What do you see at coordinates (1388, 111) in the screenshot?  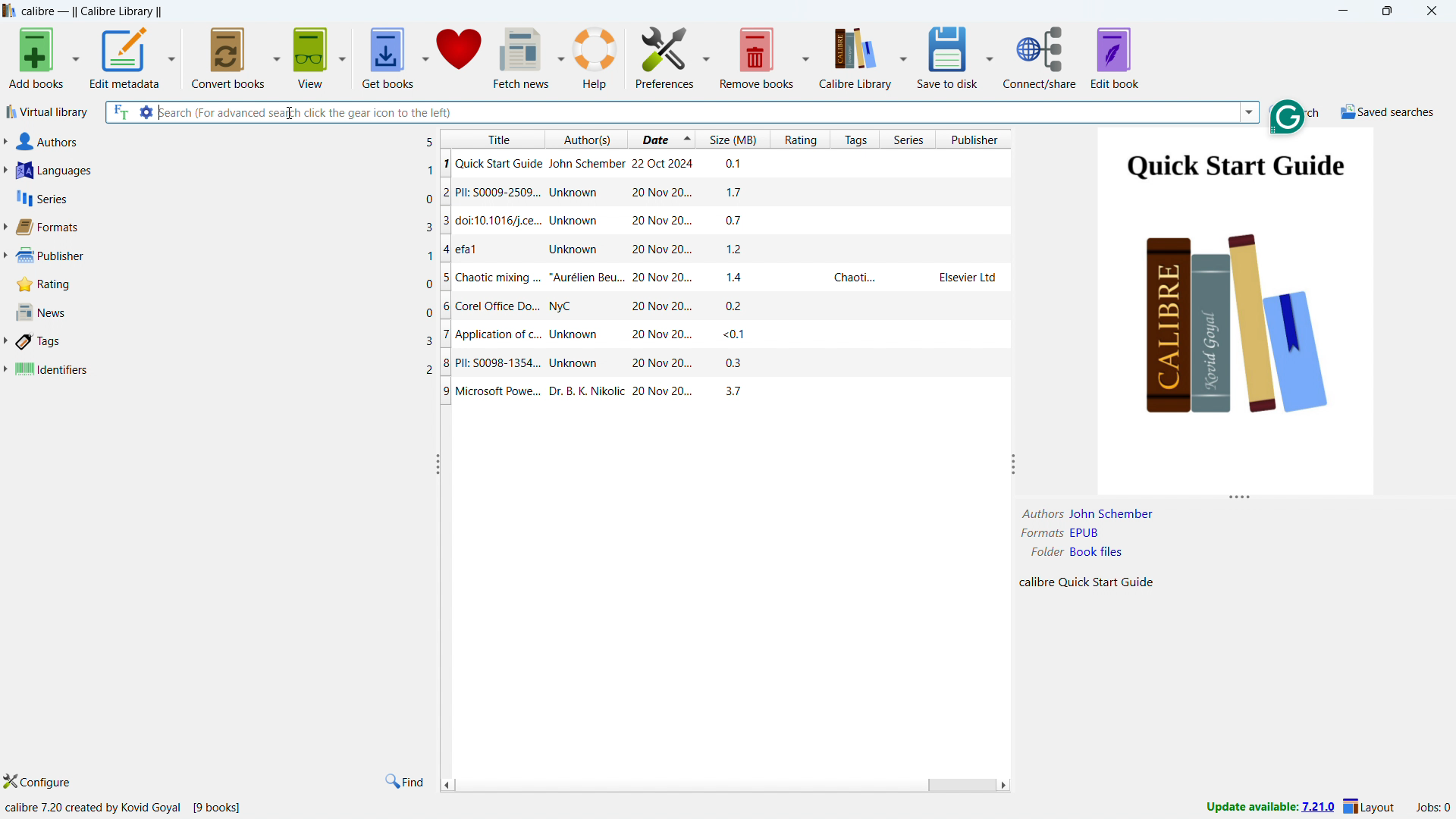 I see `saved searches menu` at bounding box center [1388, 111].